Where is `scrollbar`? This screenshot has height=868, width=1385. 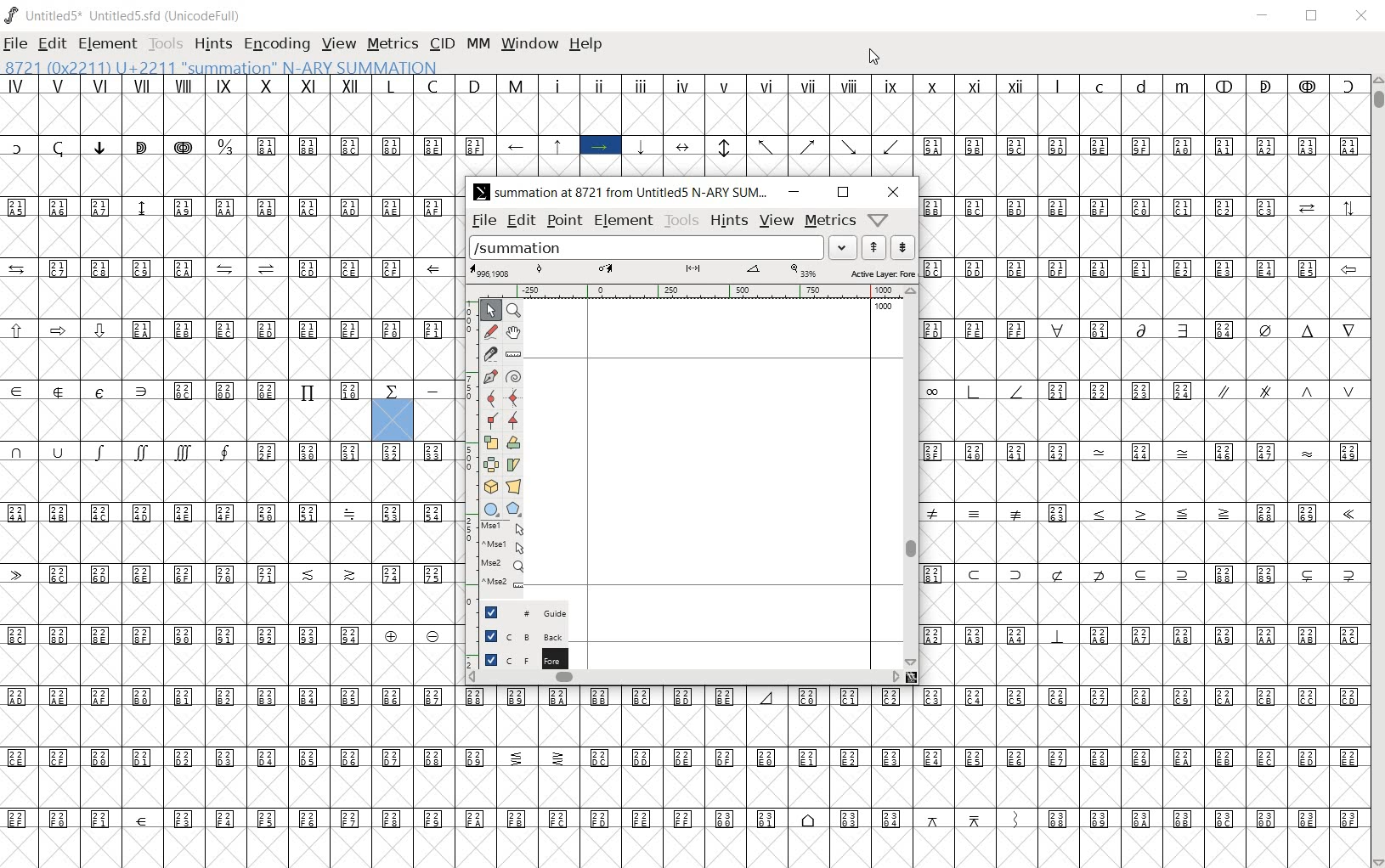
scrollbar is located at coordinates (913, 476).